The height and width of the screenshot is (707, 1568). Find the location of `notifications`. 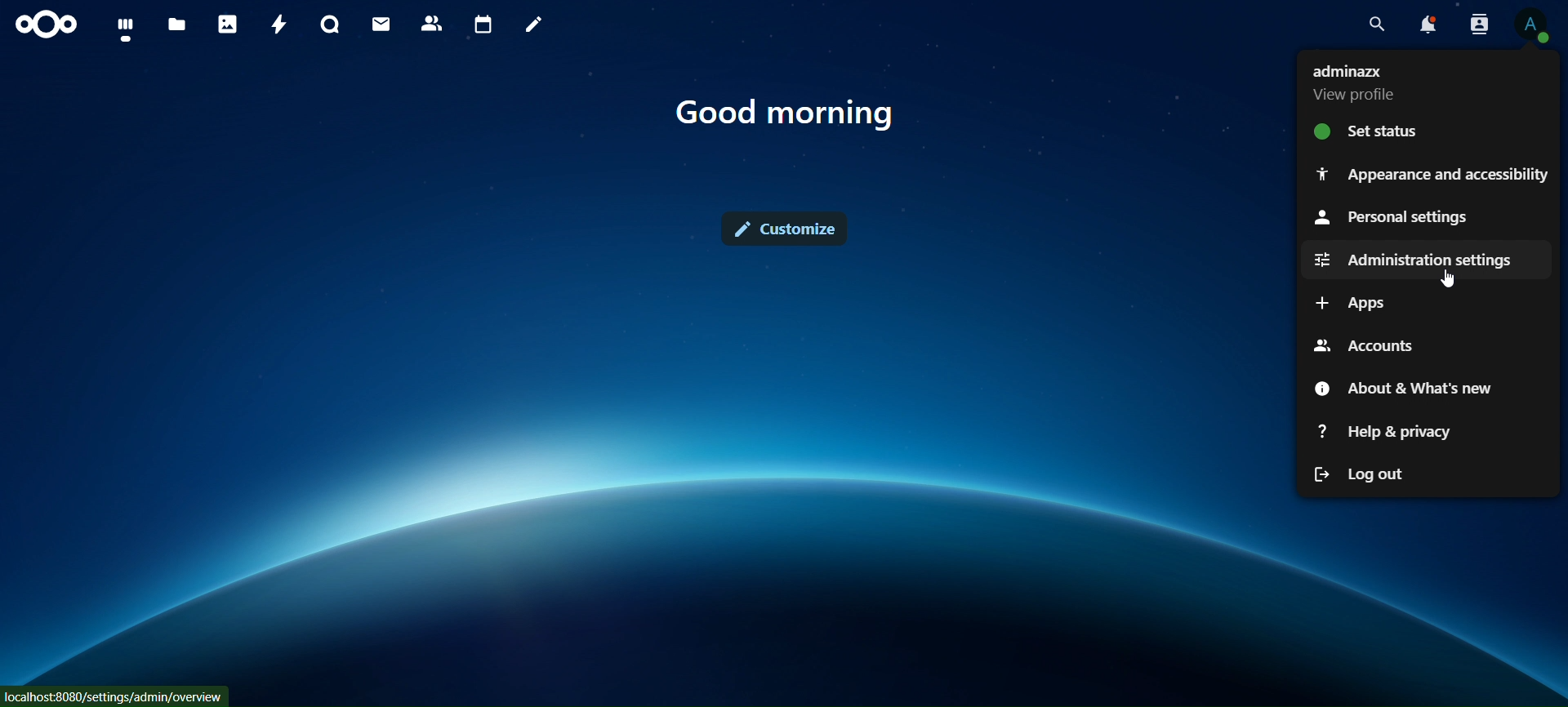

notifications is located at coordinates (1425, 23).